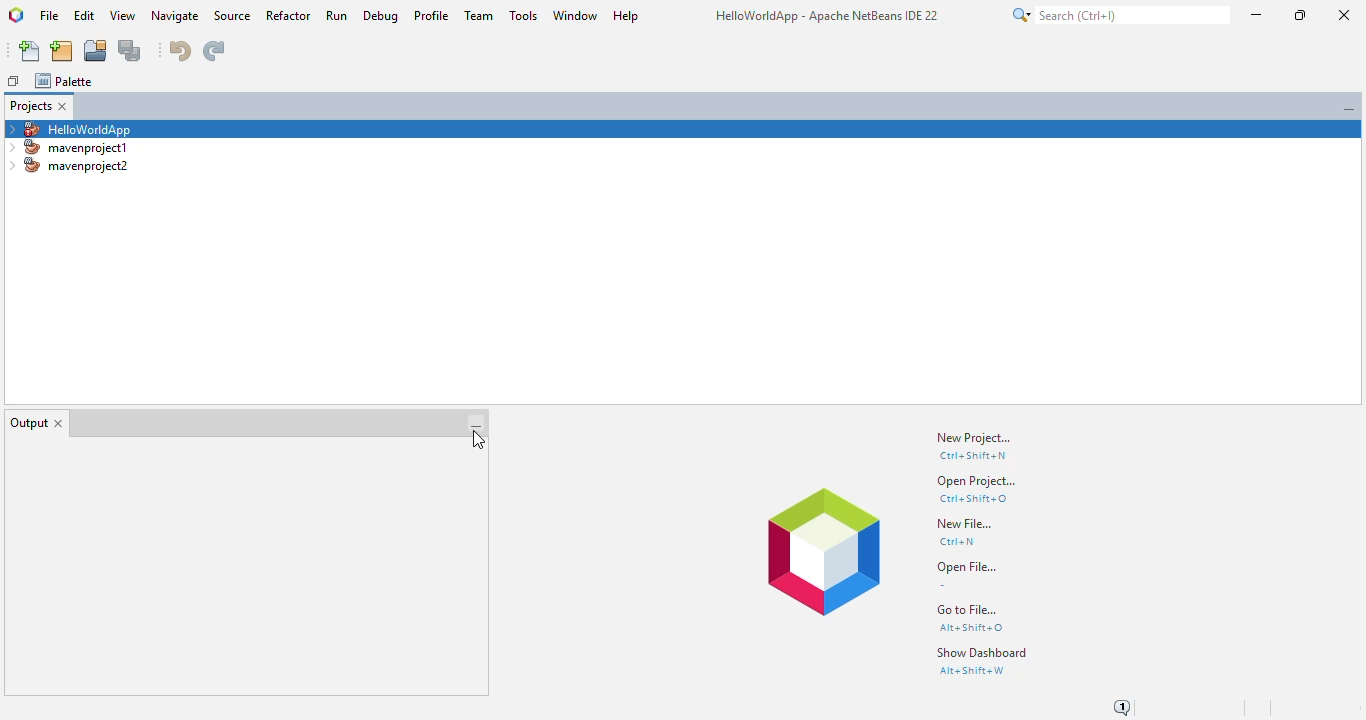 This screenshot has height=720, width=1366. What do you see at coordinates (823, 551) in the screenshot?
I see `logo` at bounding box center [823, 551].